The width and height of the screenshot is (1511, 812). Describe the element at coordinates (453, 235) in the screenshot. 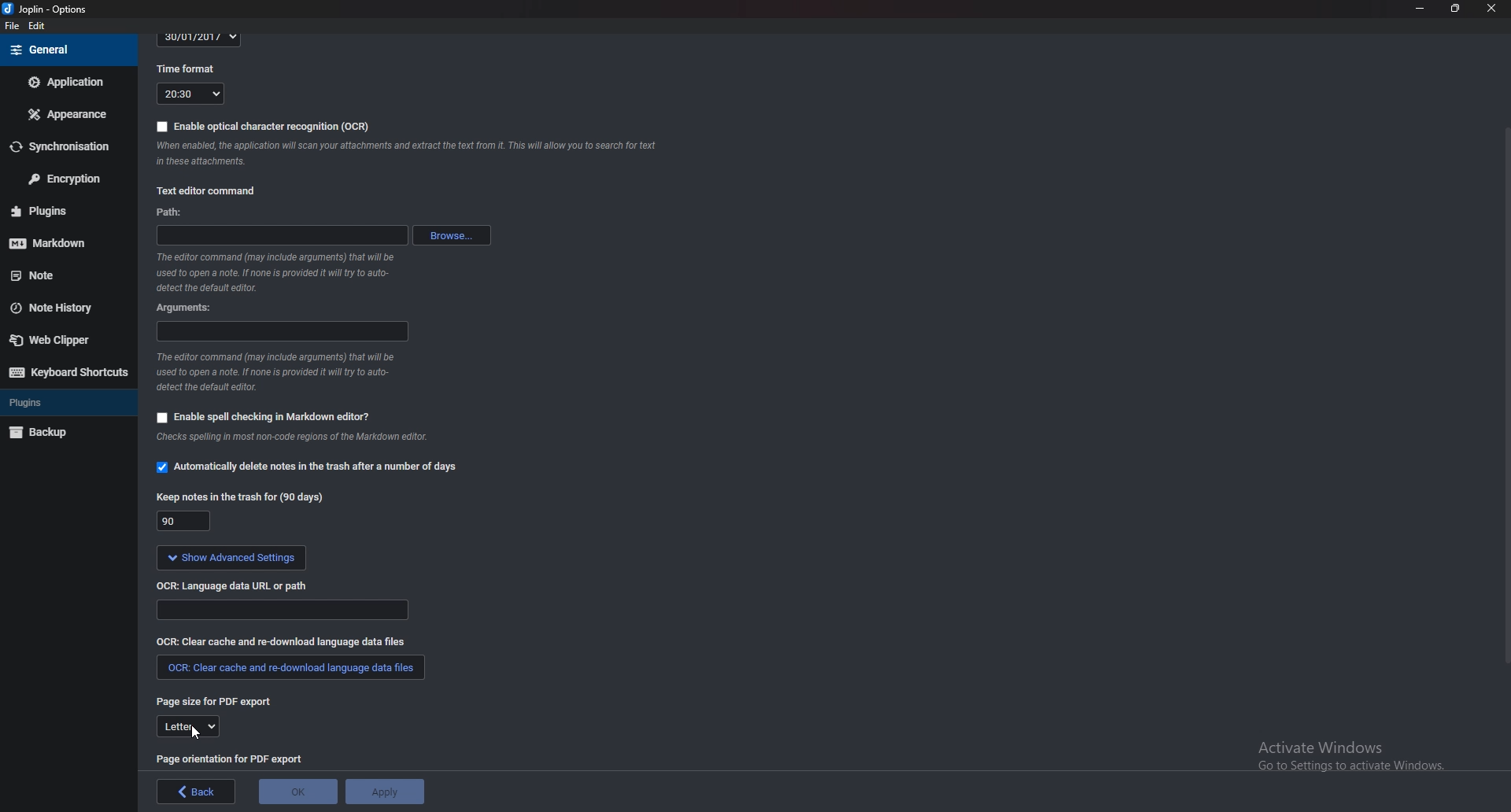

I see `browse` at that location.